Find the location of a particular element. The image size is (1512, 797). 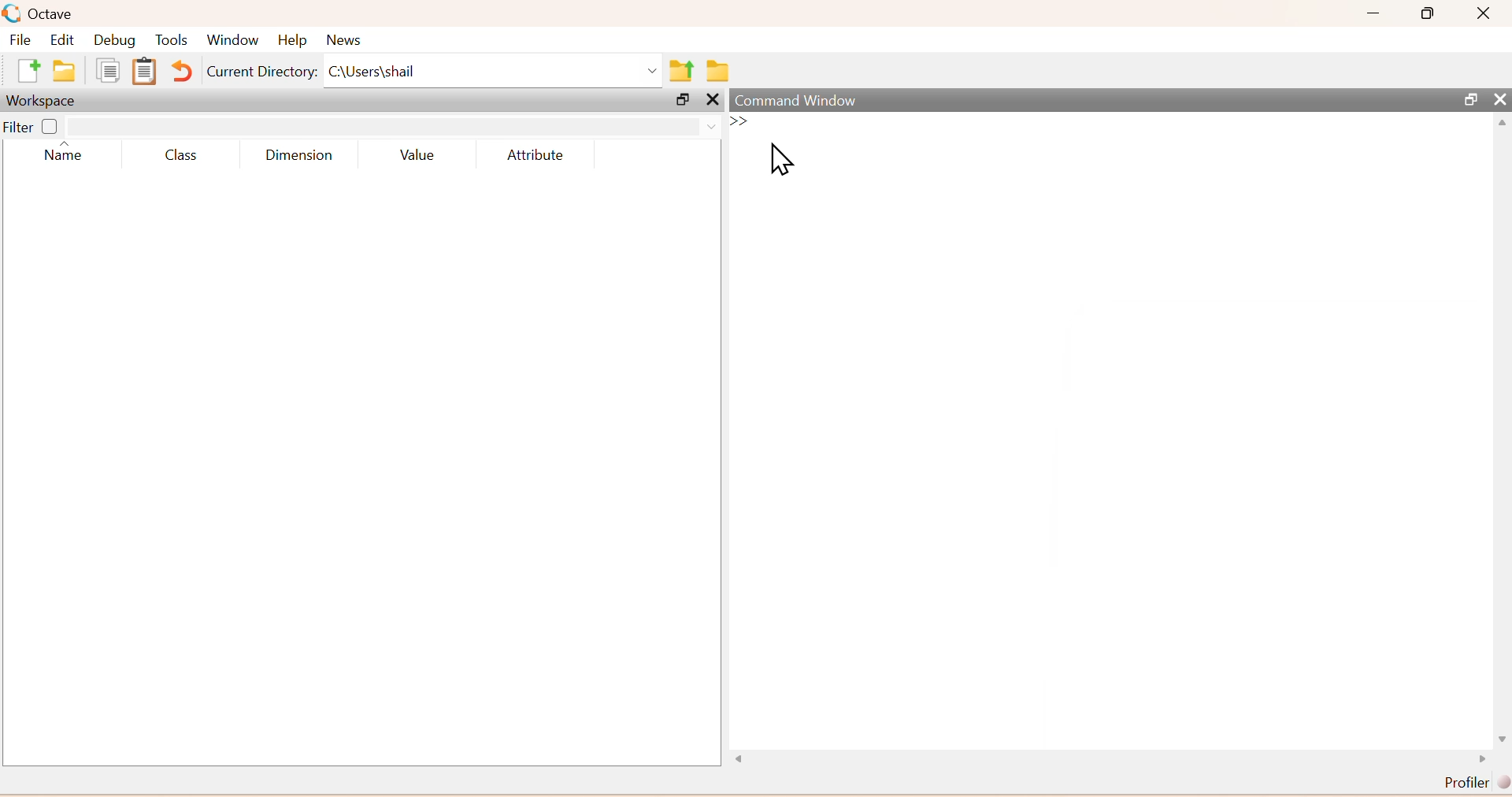

Window is located at coordinates (229, 42).